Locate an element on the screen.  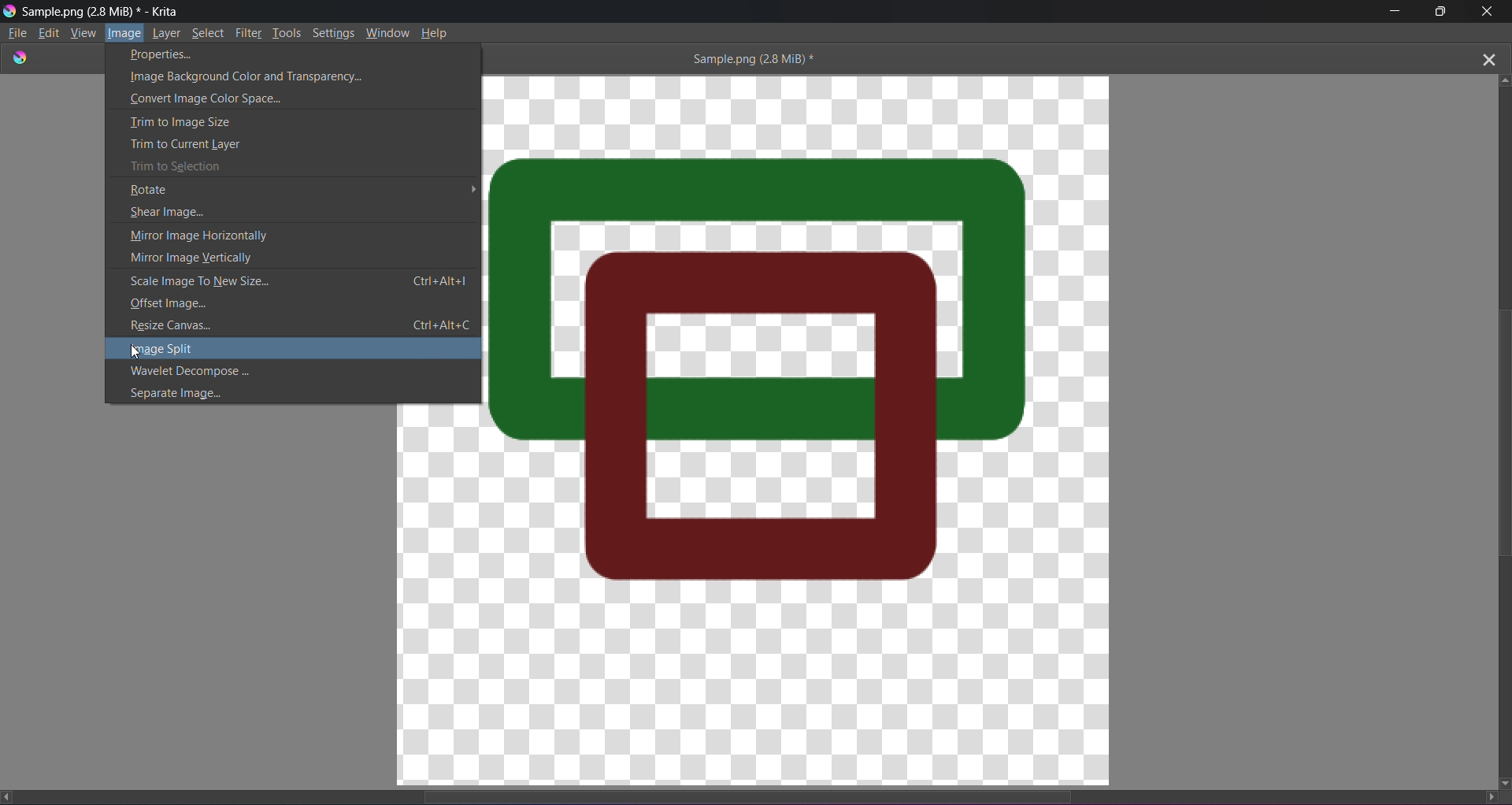
Filter is located at coordinates (250, 32).